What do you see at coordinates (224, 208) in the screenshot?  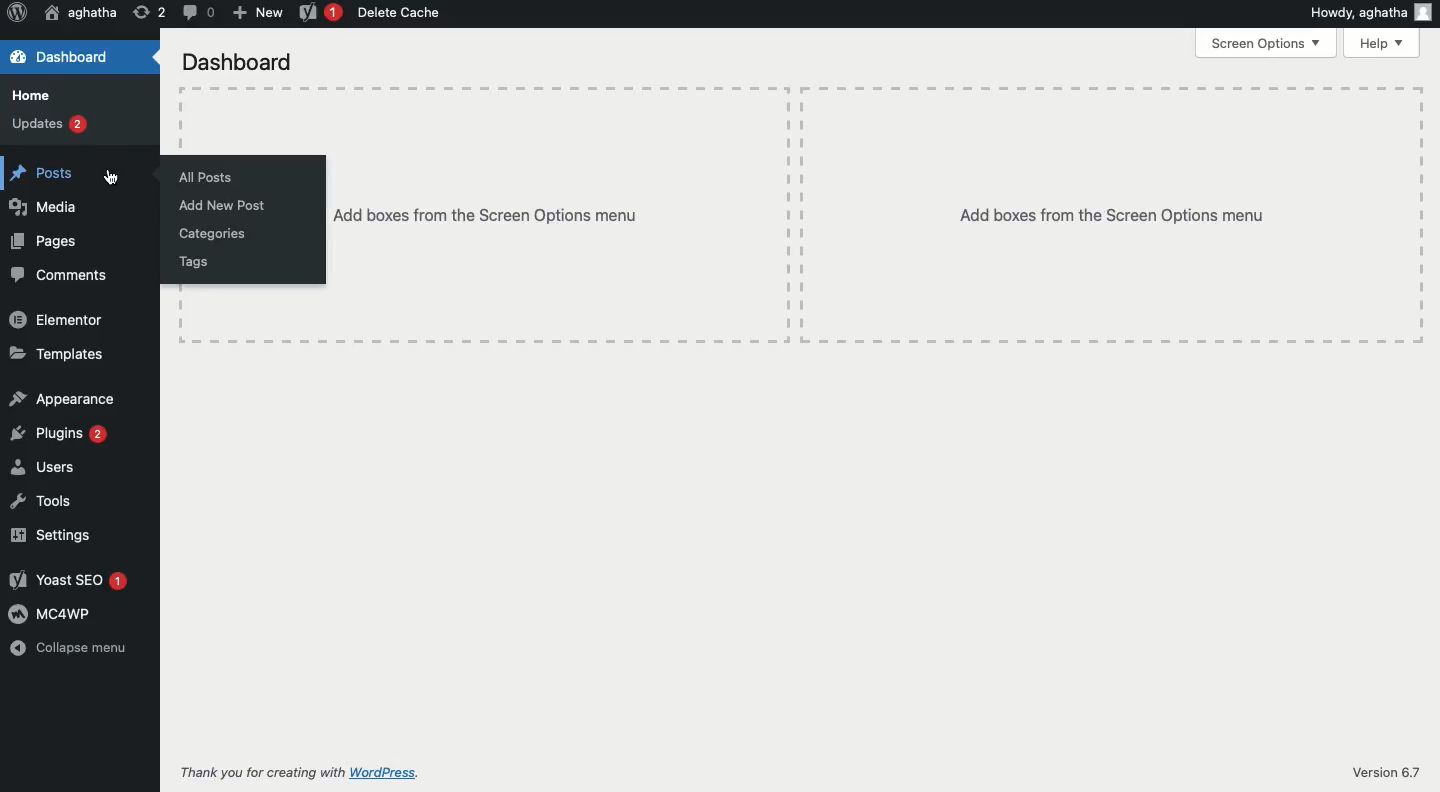 I see `Add new post` at bounding box center [224, 208].